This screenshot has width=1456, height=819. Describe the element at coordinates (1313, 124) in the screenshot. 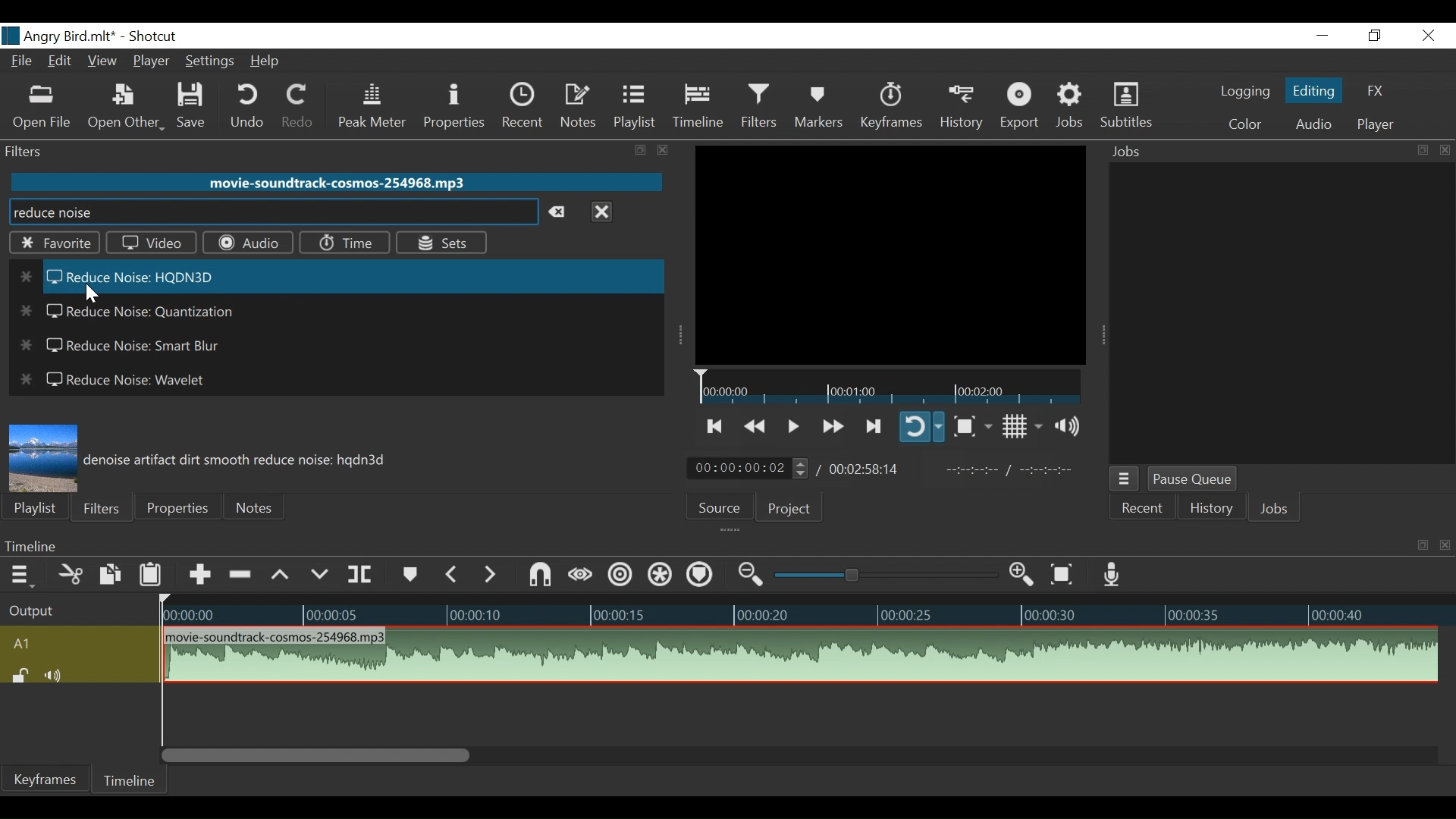

I see `Audio` at that location.